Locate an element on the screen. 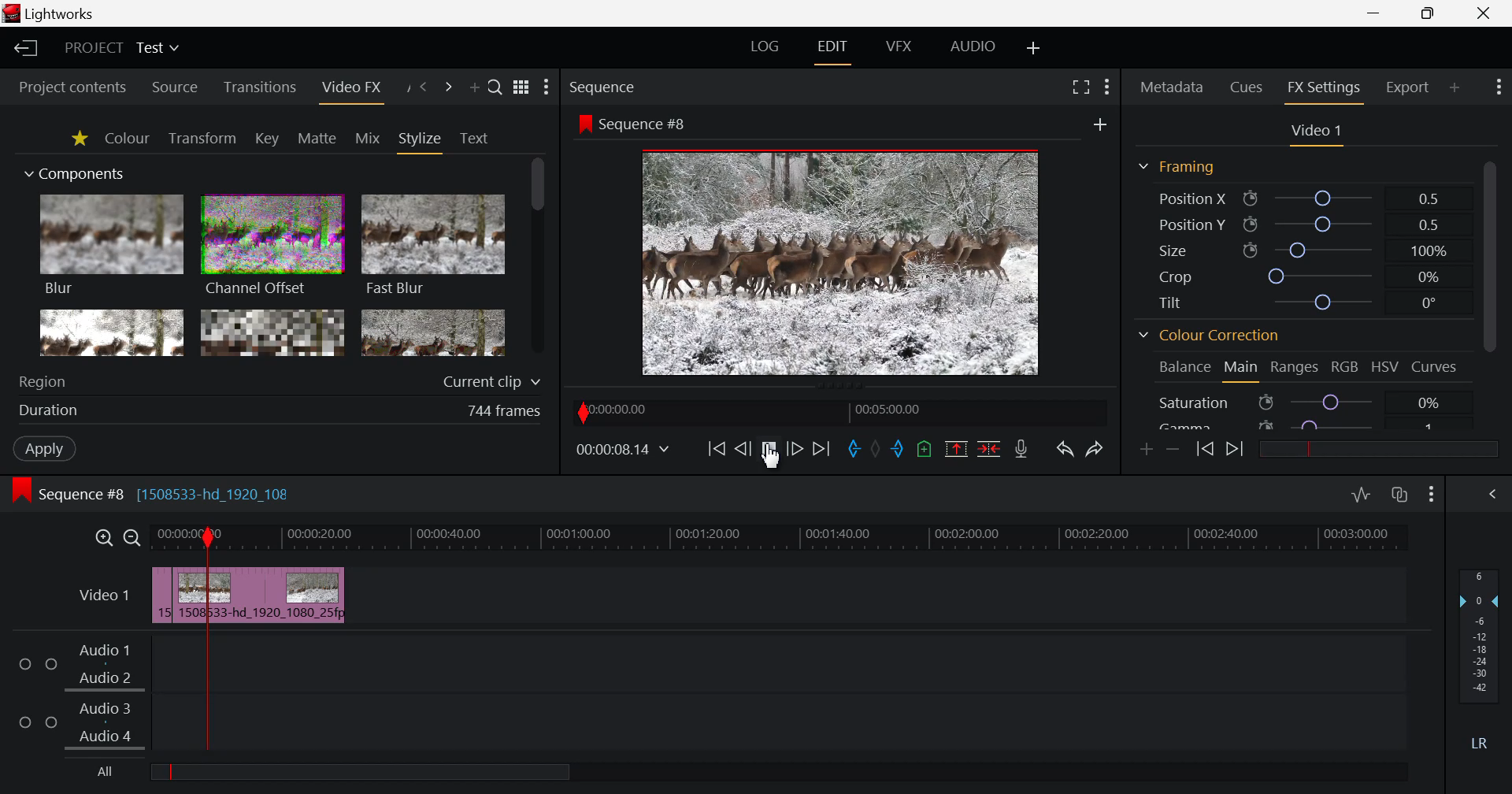  Stylize is located at coordinates (421, 141).